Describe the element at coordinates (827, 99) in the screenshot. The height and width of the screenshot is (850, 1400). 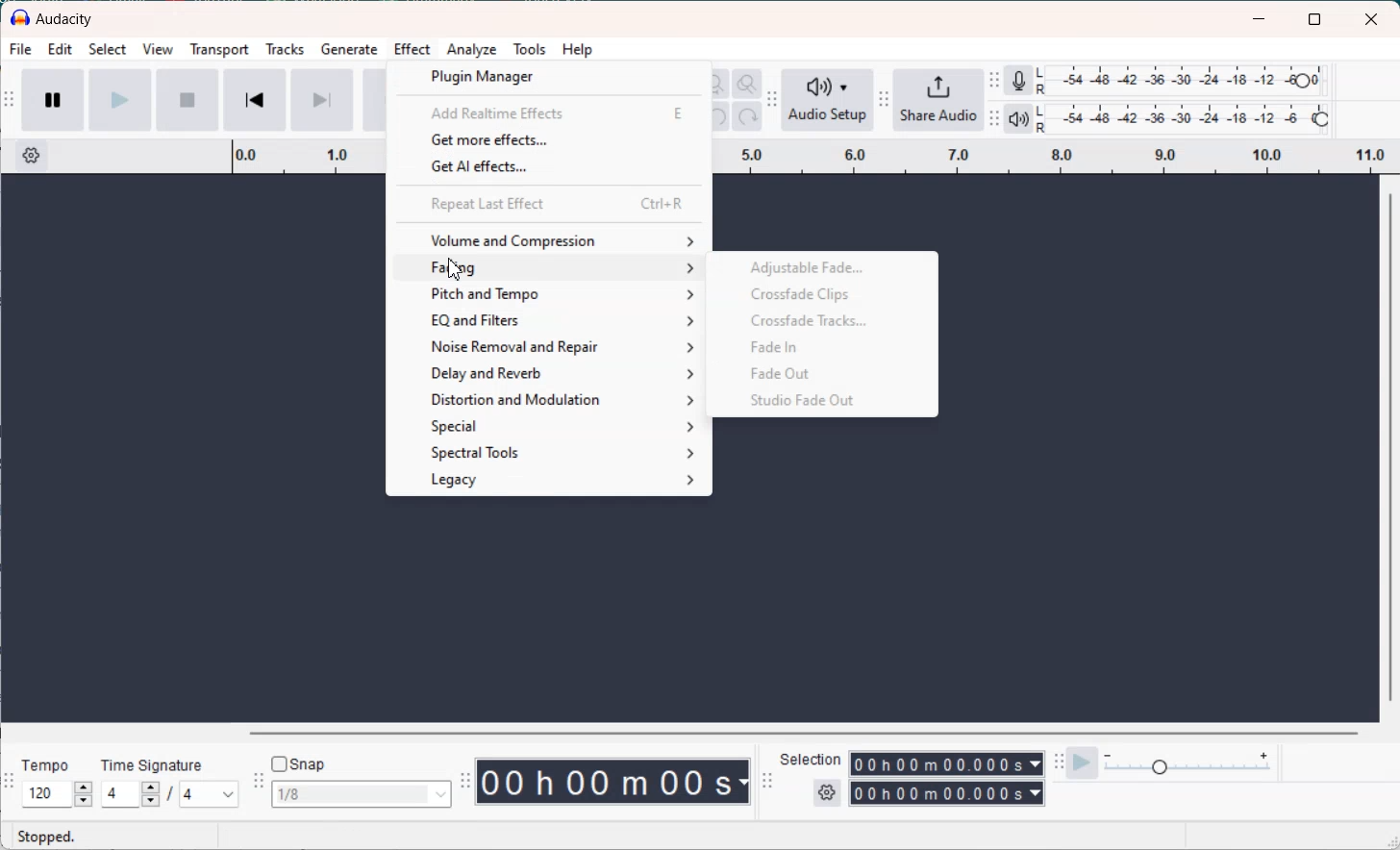
I see `Audio Setup` at that location.